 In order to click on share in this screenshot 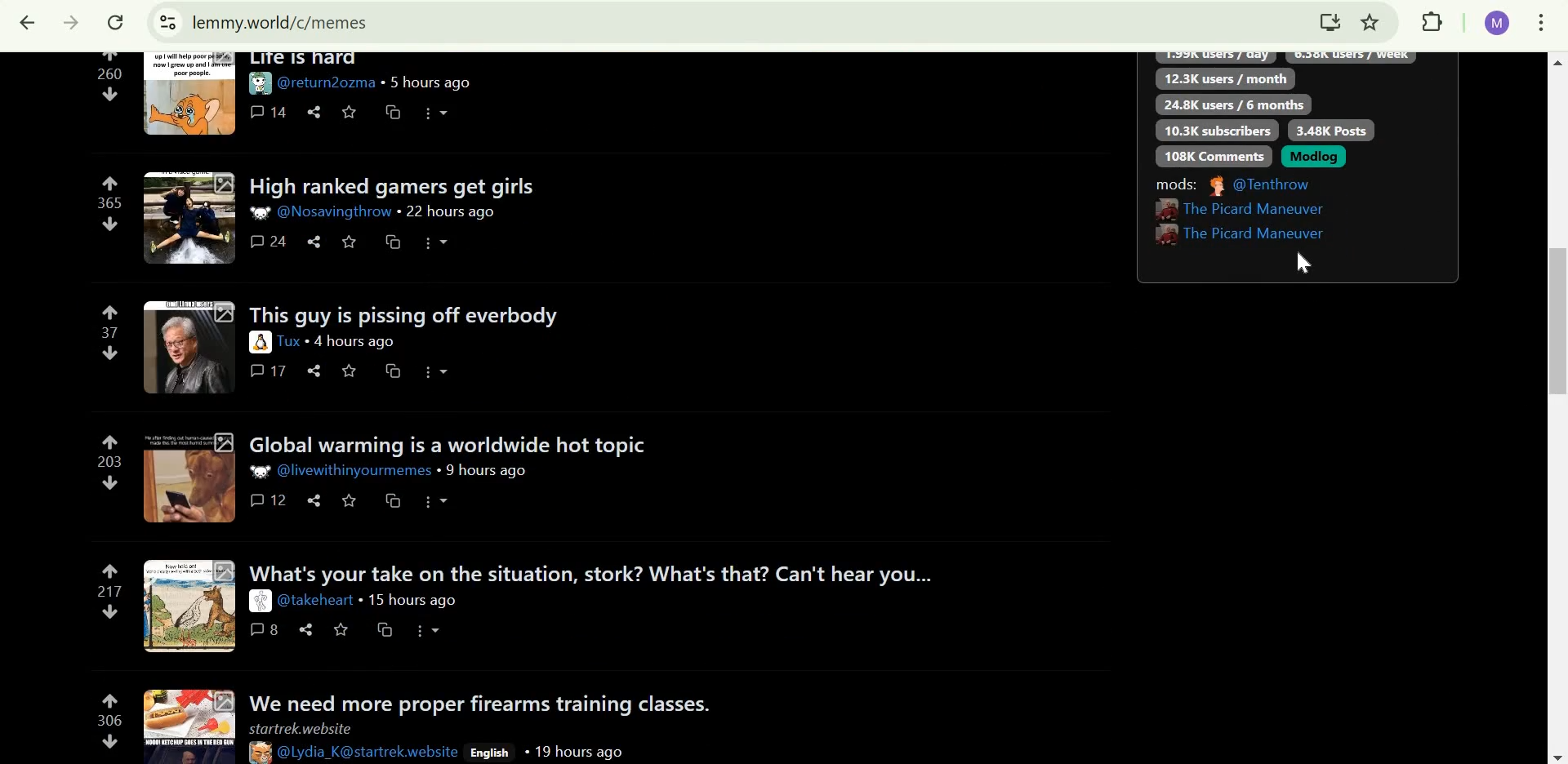, I will do `click(306, 629)`.